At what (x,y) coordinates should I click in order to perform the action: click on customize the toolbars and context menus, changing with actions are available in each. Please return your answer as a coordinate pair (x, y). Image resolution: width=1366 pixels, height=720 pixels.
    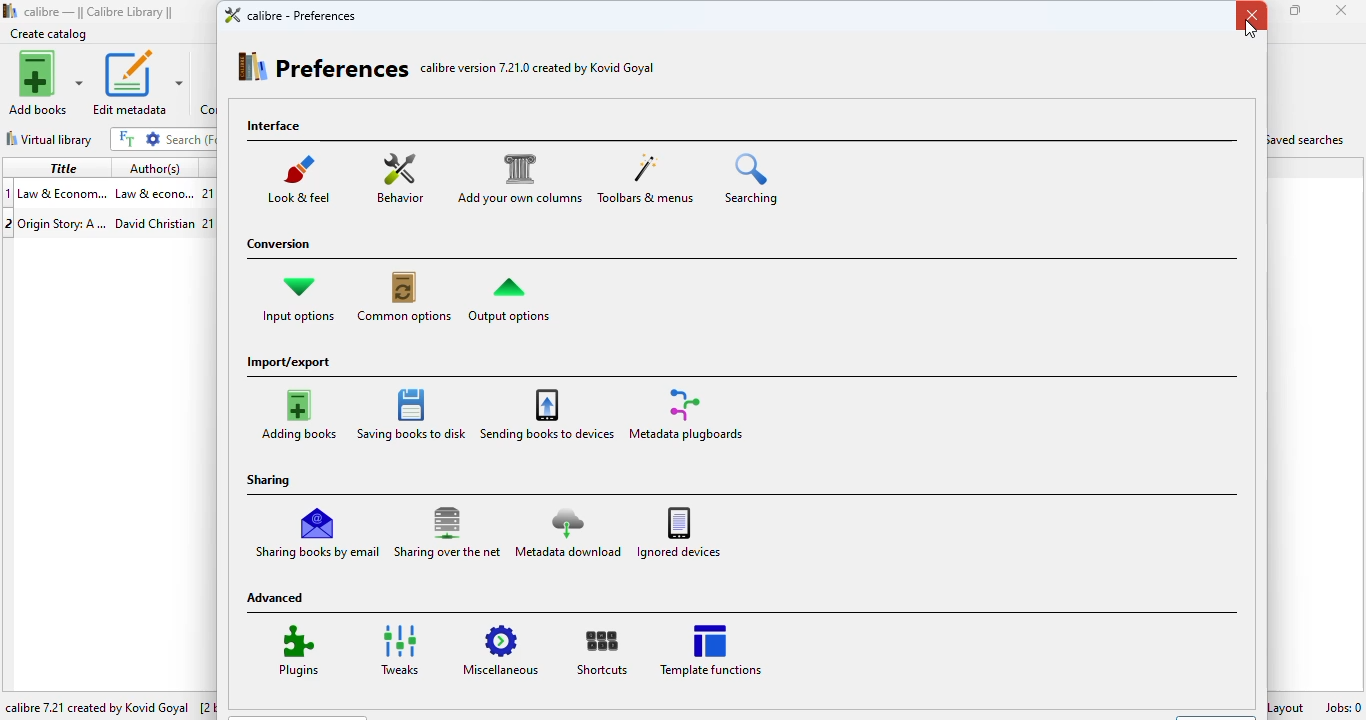
    Looking at the image, I should click on (656, 68).